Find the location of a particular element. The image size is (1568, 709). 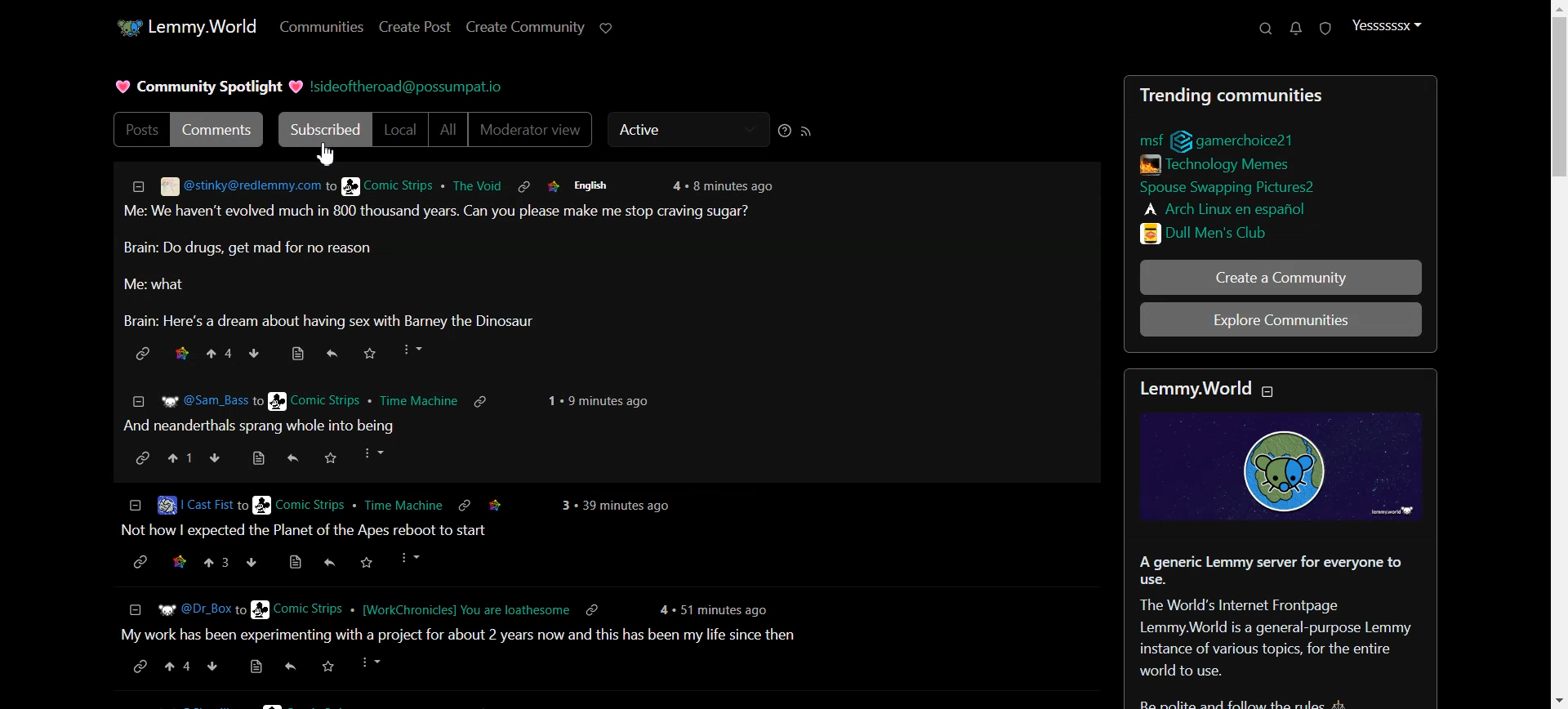

save is located at coordinates (370, 562).